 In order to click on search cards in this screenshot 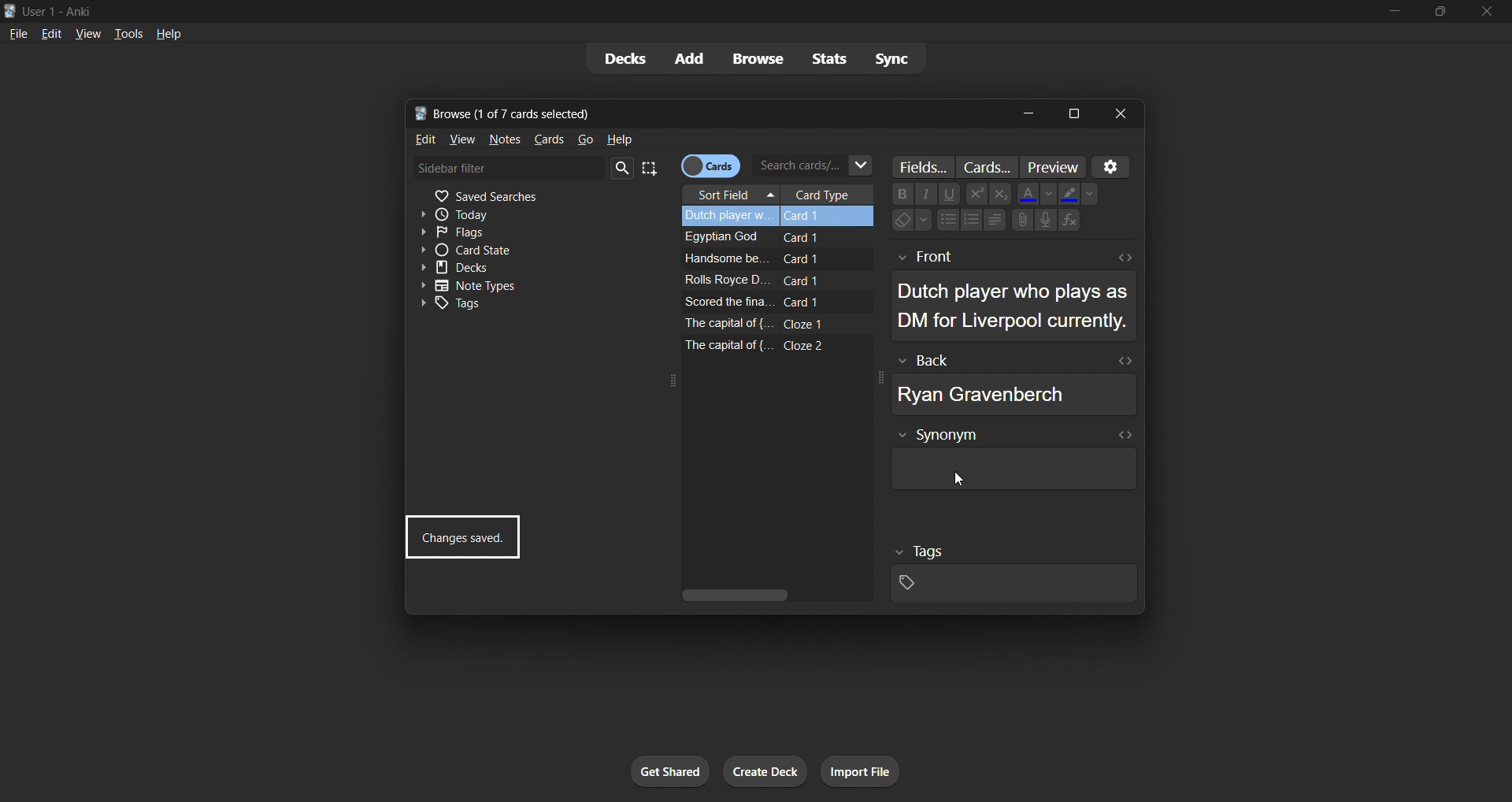, I will do `click(813, 165)`.